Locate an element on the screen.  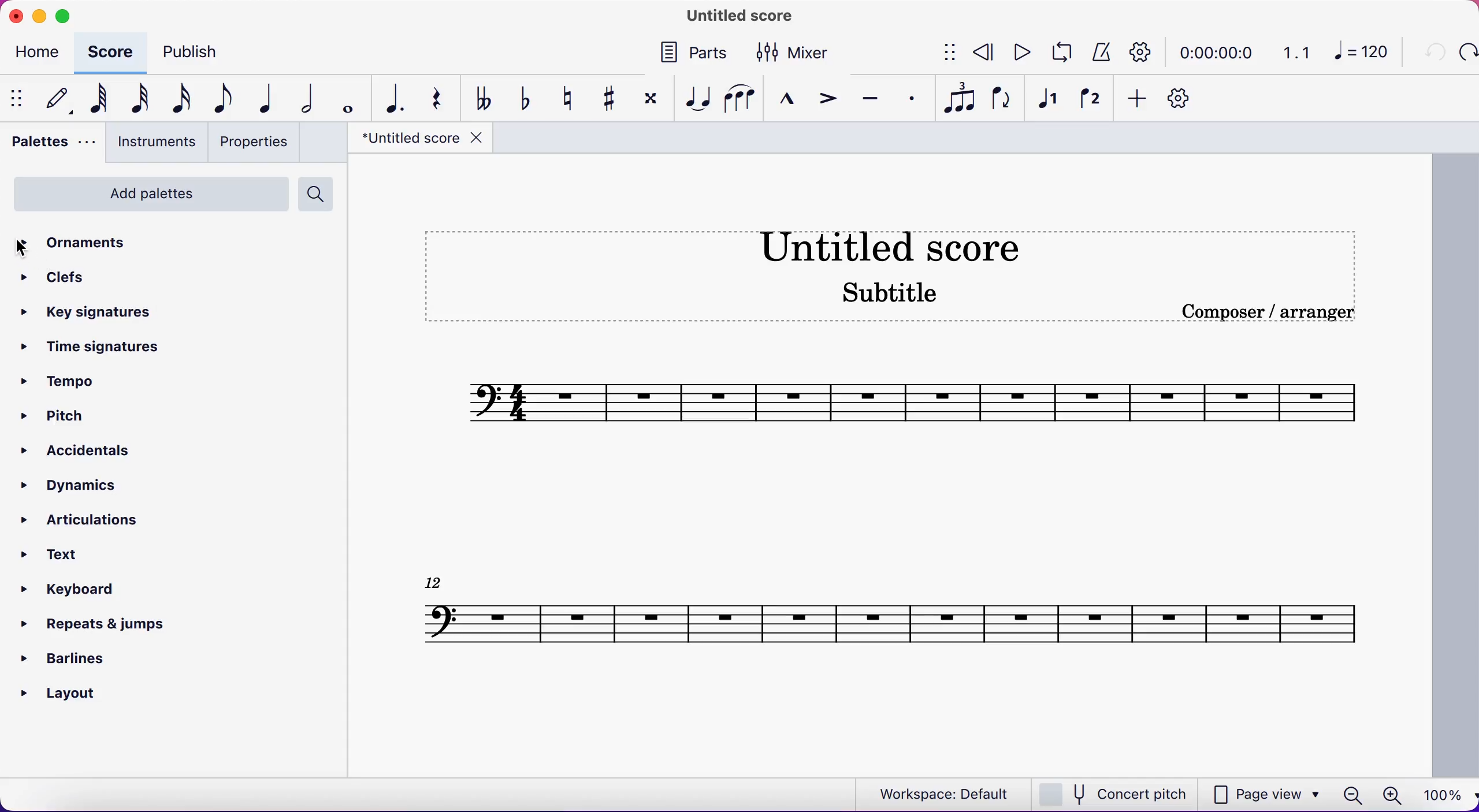
playback settings is located at coordinates (1145, 51).